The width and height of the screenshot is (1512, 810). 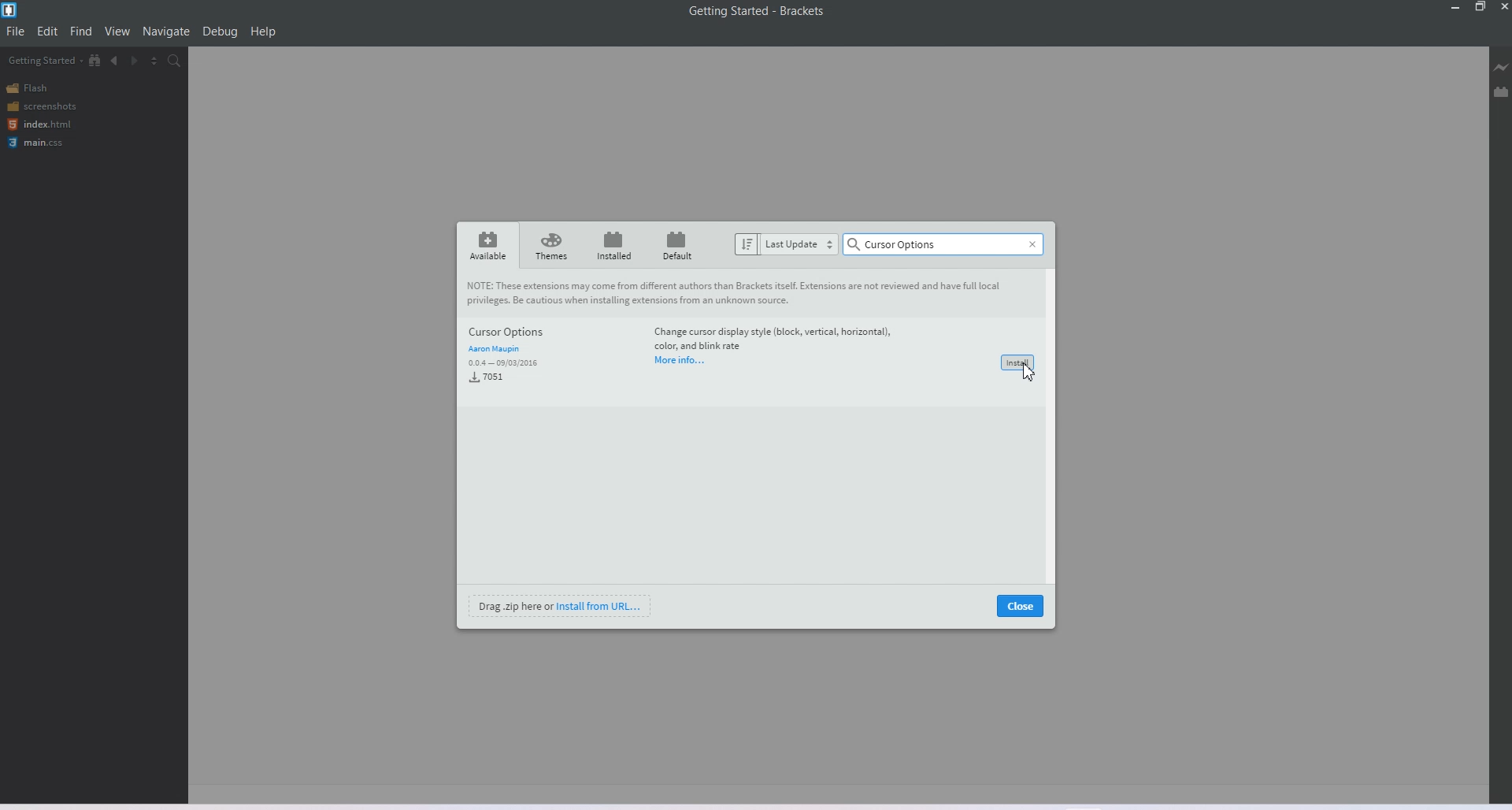 What do you see at coordinates (1021, 607) in the screenshot?
I see `close` at bounding box center [1021, 607].